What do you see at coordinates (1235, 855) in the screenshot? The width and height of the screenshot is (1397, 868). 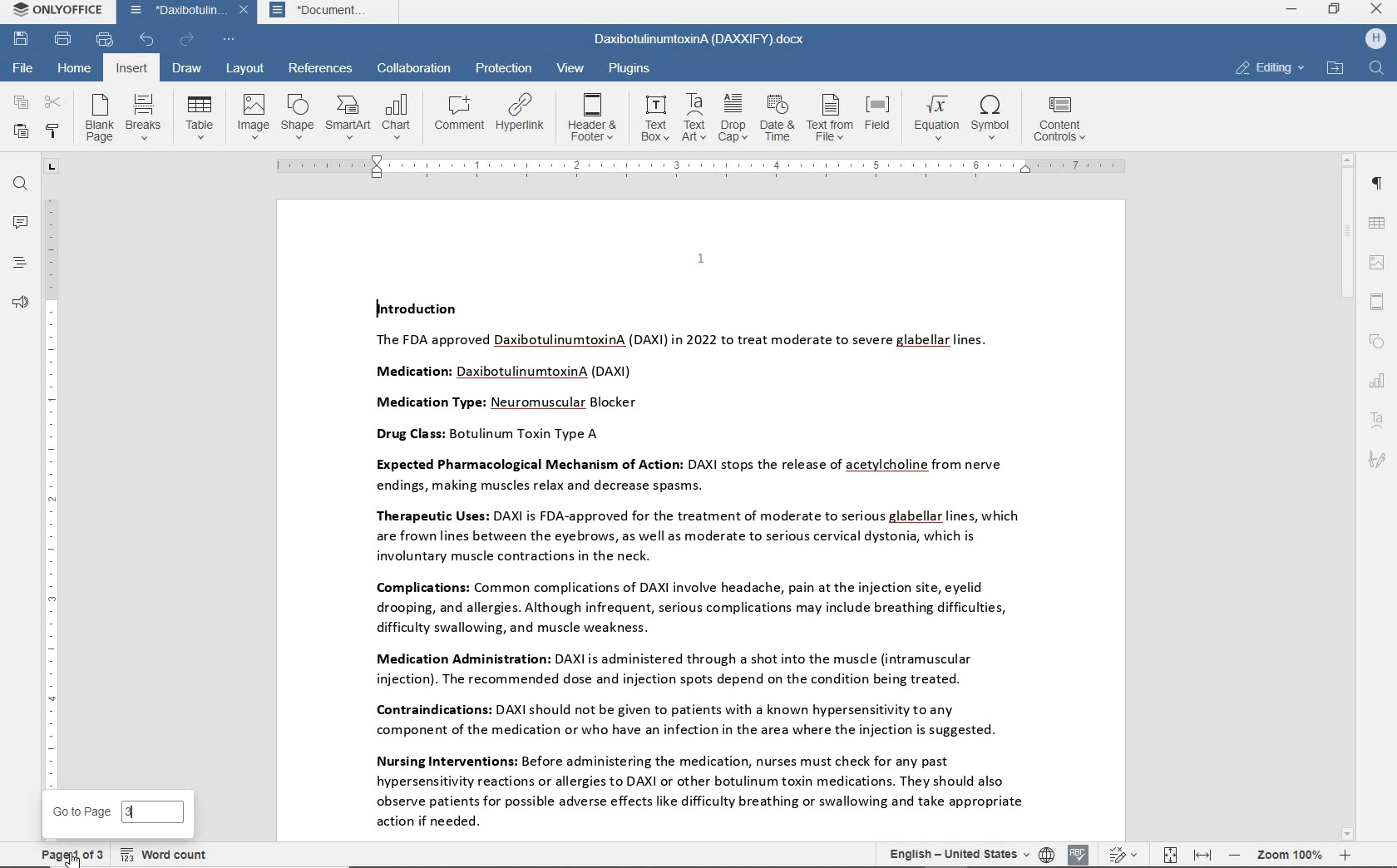 I see `zoom out` at bounding box center [1235, 855].